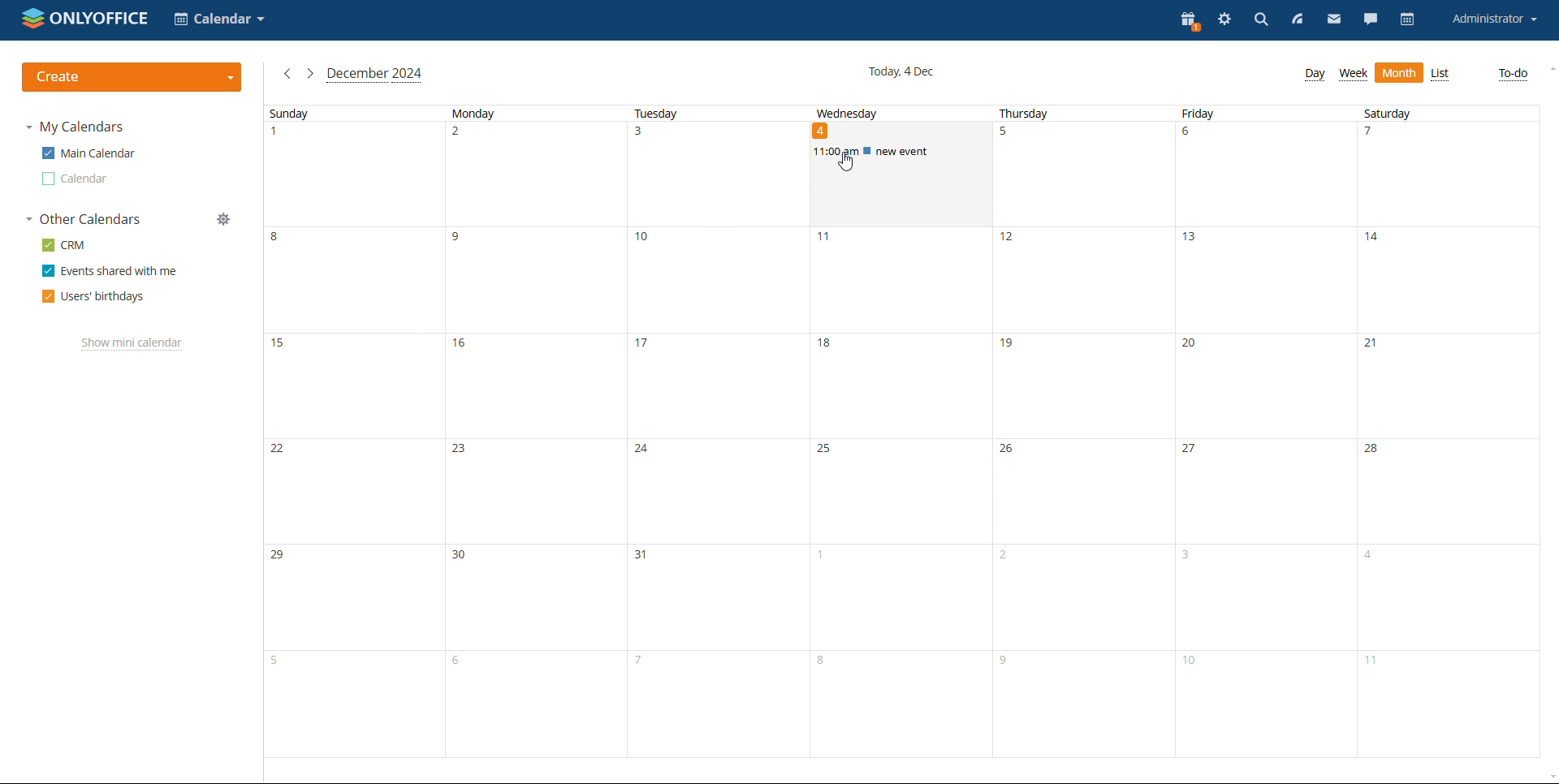  I want to click on calendar, so click(1406, 20).